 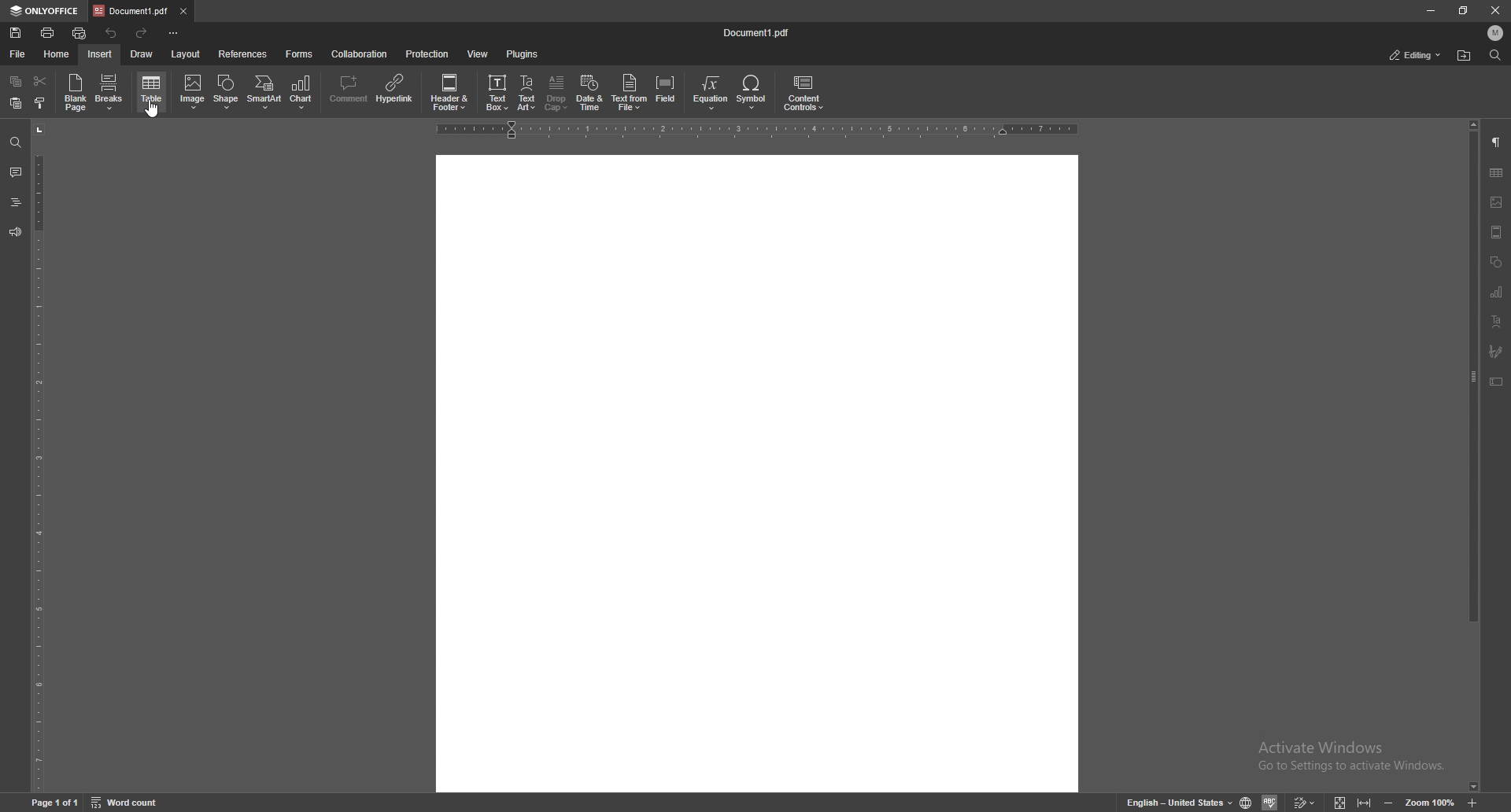 What do you see at coordinates (1365, 802) in the screenshot?
I see `fit to width` at bounding box center [1365, 802].